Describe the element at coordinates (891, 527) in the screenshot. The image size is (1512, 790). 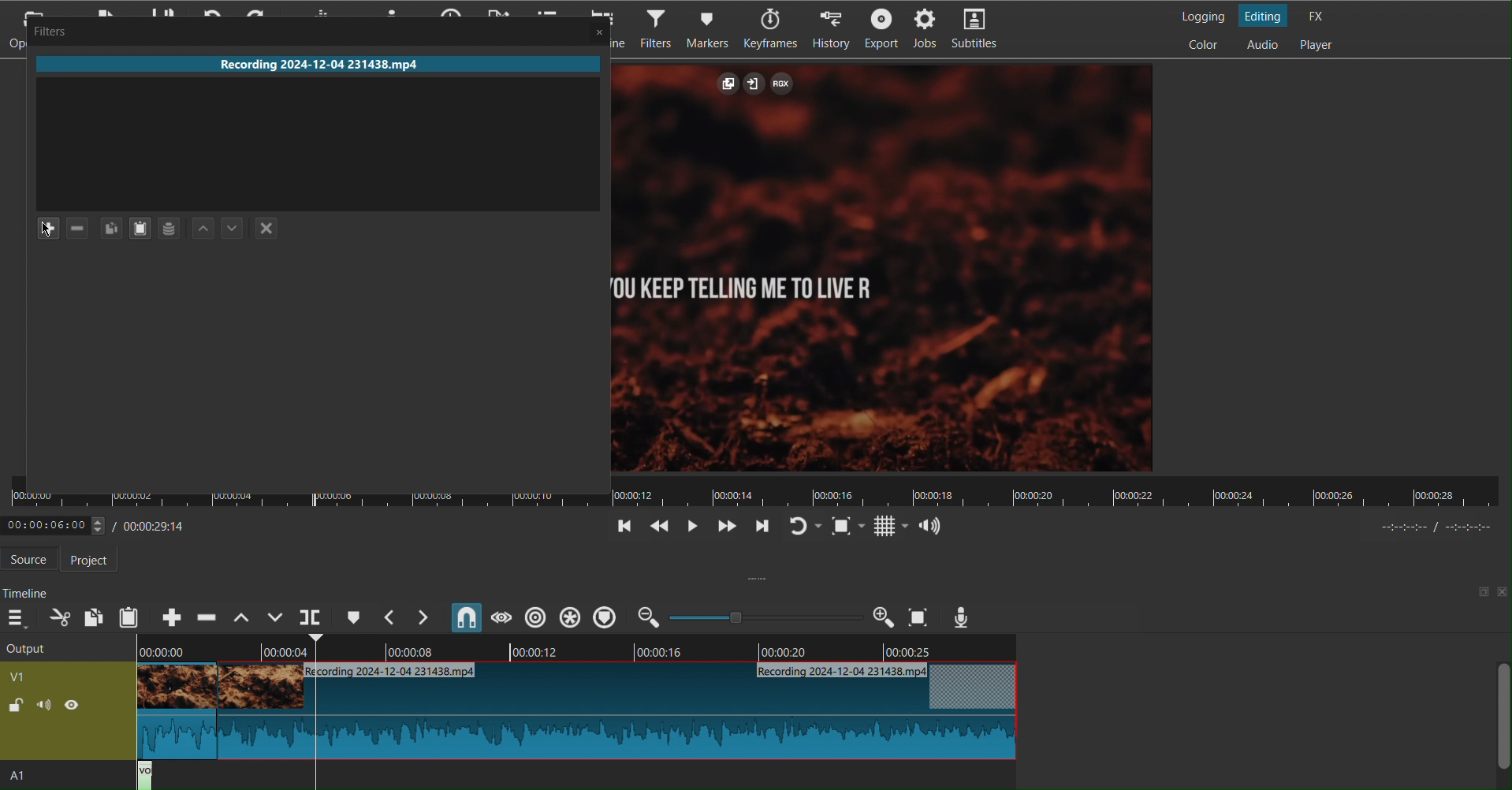
I see `Grid` at that location.